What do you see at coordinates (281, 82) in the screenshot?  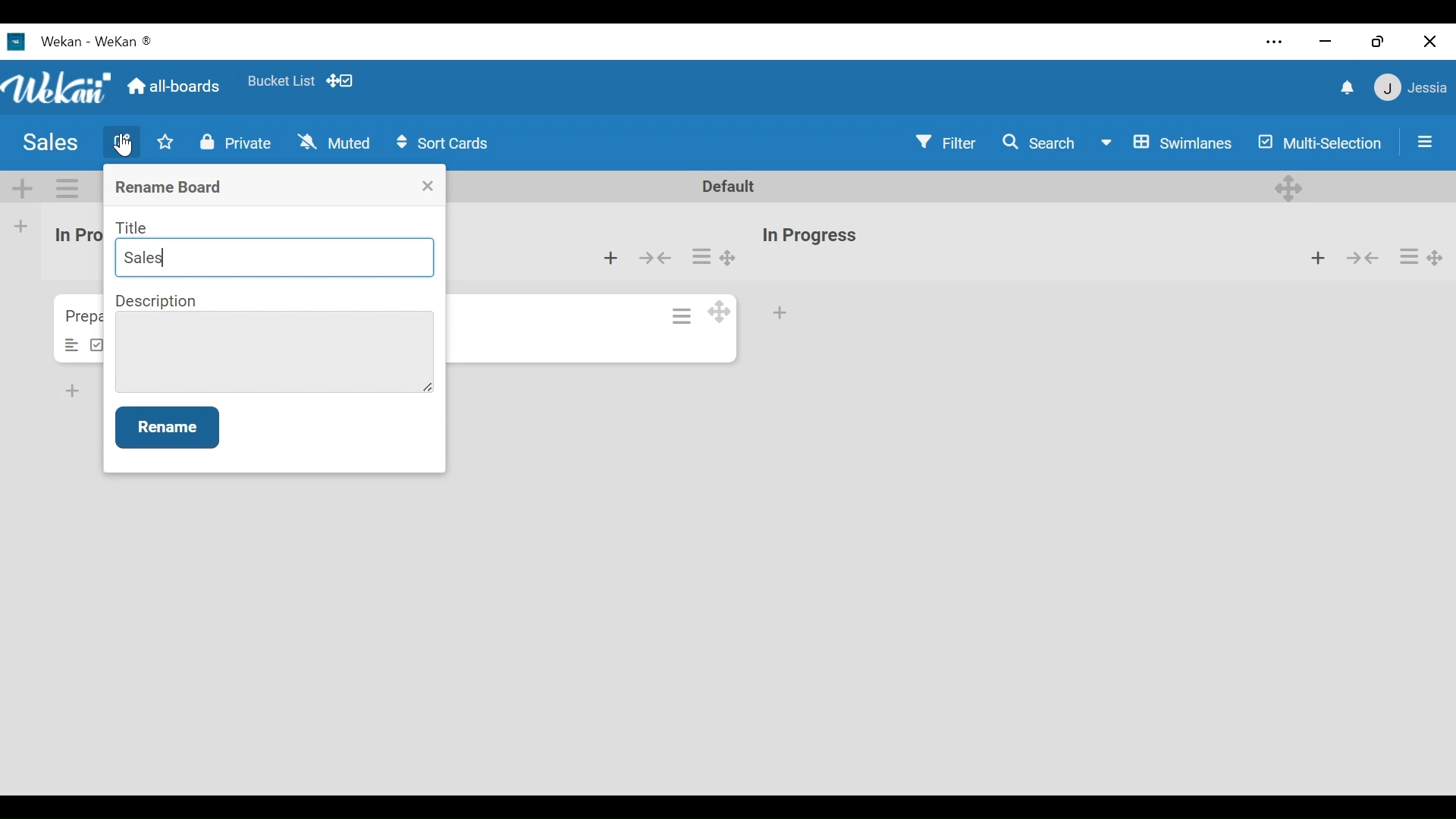 I see `Favorite` at bounding box center [281, 82].